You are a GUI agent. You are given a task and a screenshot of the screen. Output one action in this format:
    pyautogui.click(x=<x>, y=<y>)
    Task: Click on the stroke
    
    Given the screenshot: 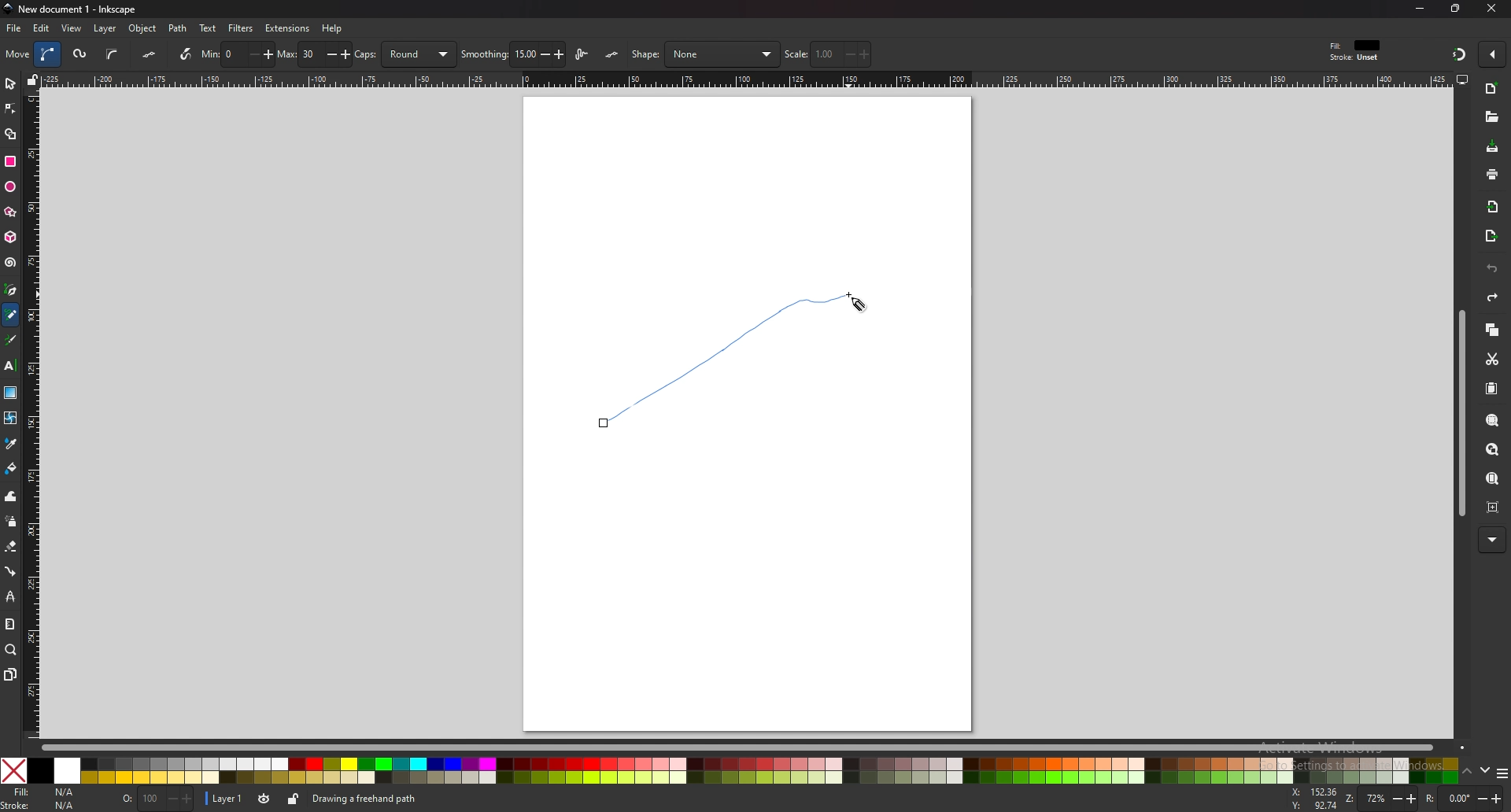 What is the action you would take?
    pyautogui.click(x=42, y=806)
    